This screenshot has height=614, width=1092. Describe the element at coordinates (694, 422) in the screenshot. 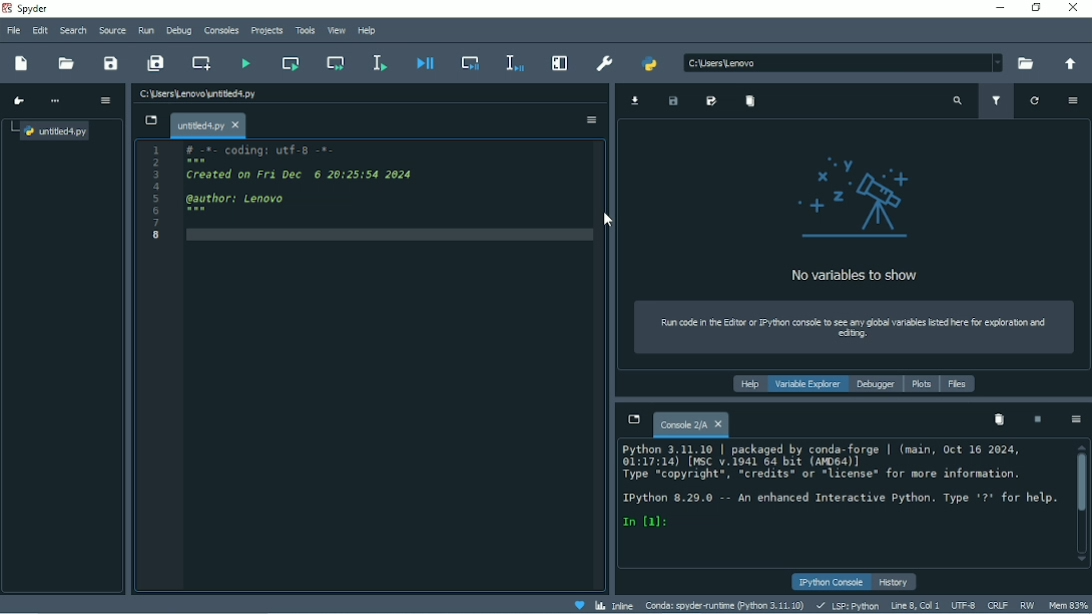

I see `Console` at that location.